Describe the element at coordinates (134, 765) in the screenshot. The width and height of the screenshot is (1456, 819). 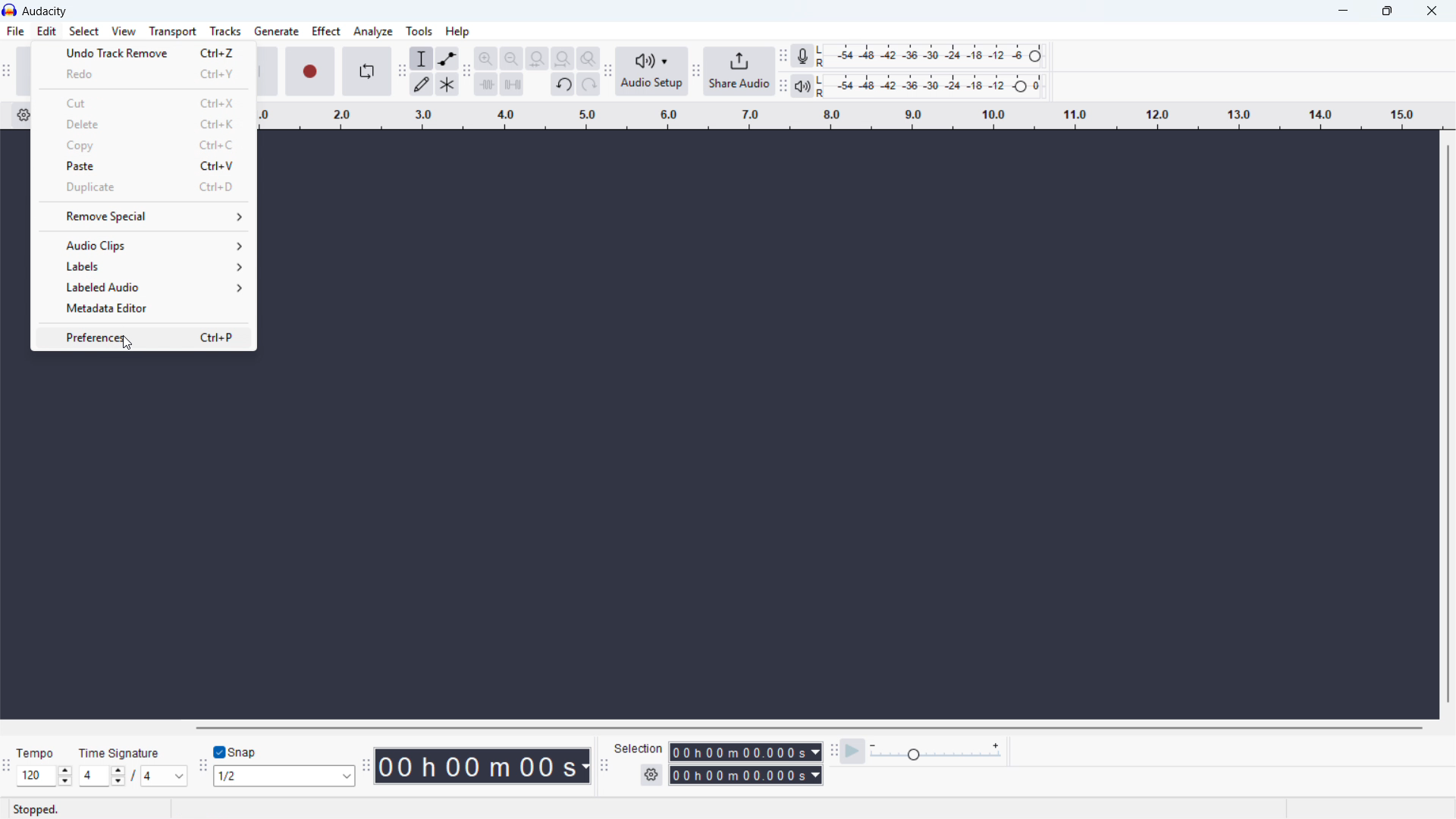
I see `set time signature` at that location.